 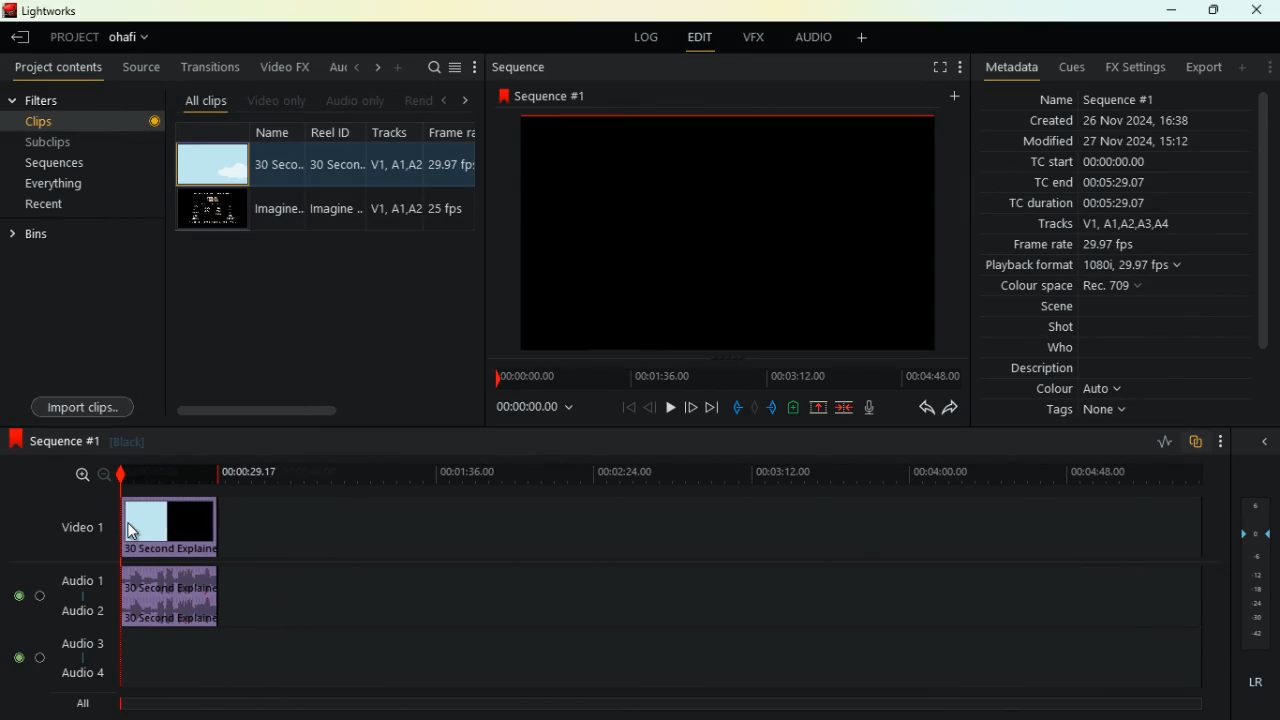 I want to click on tracks, so click(x=1098, y=226).